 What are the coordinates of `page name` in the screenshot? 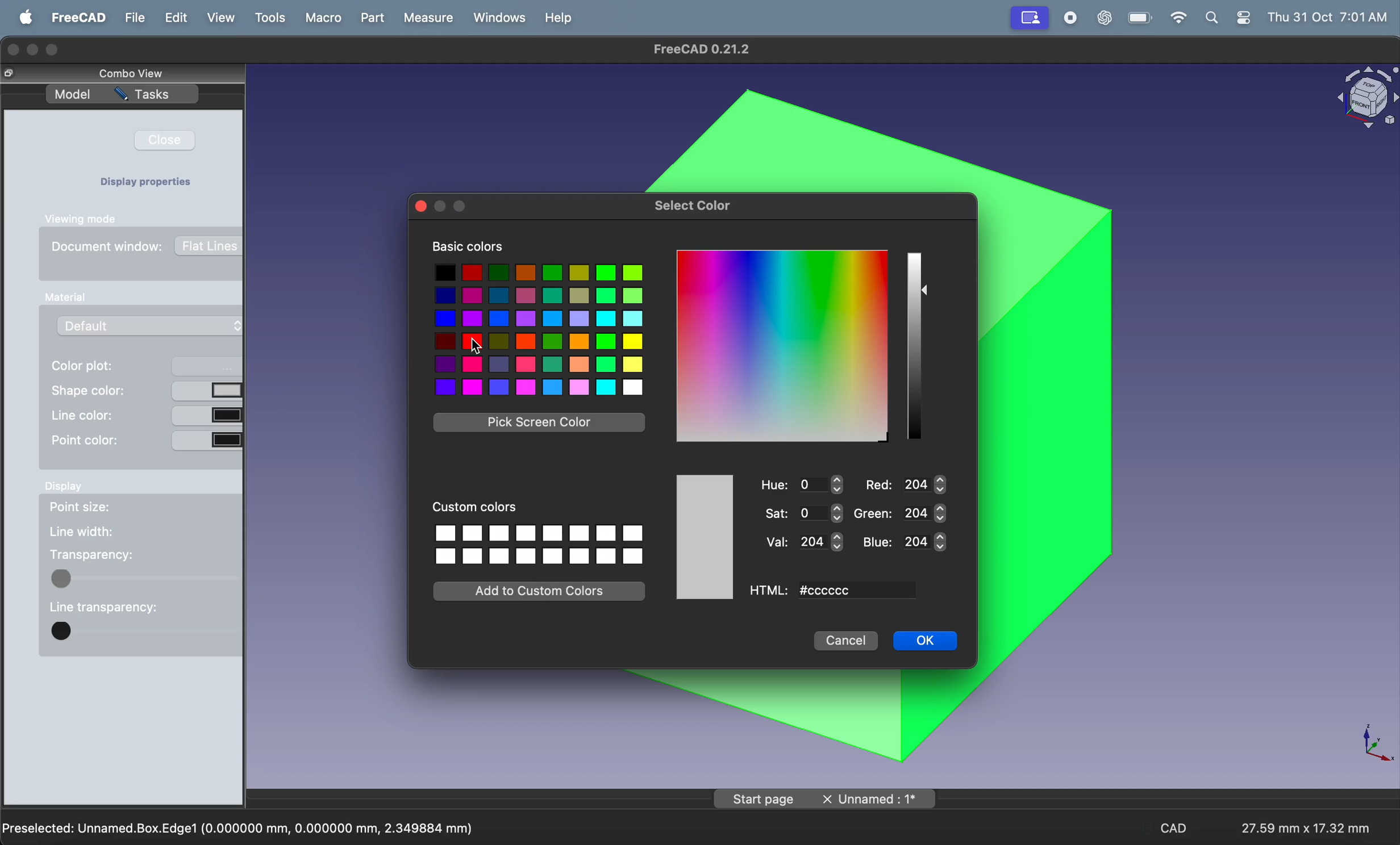 It's located at (827, 798).